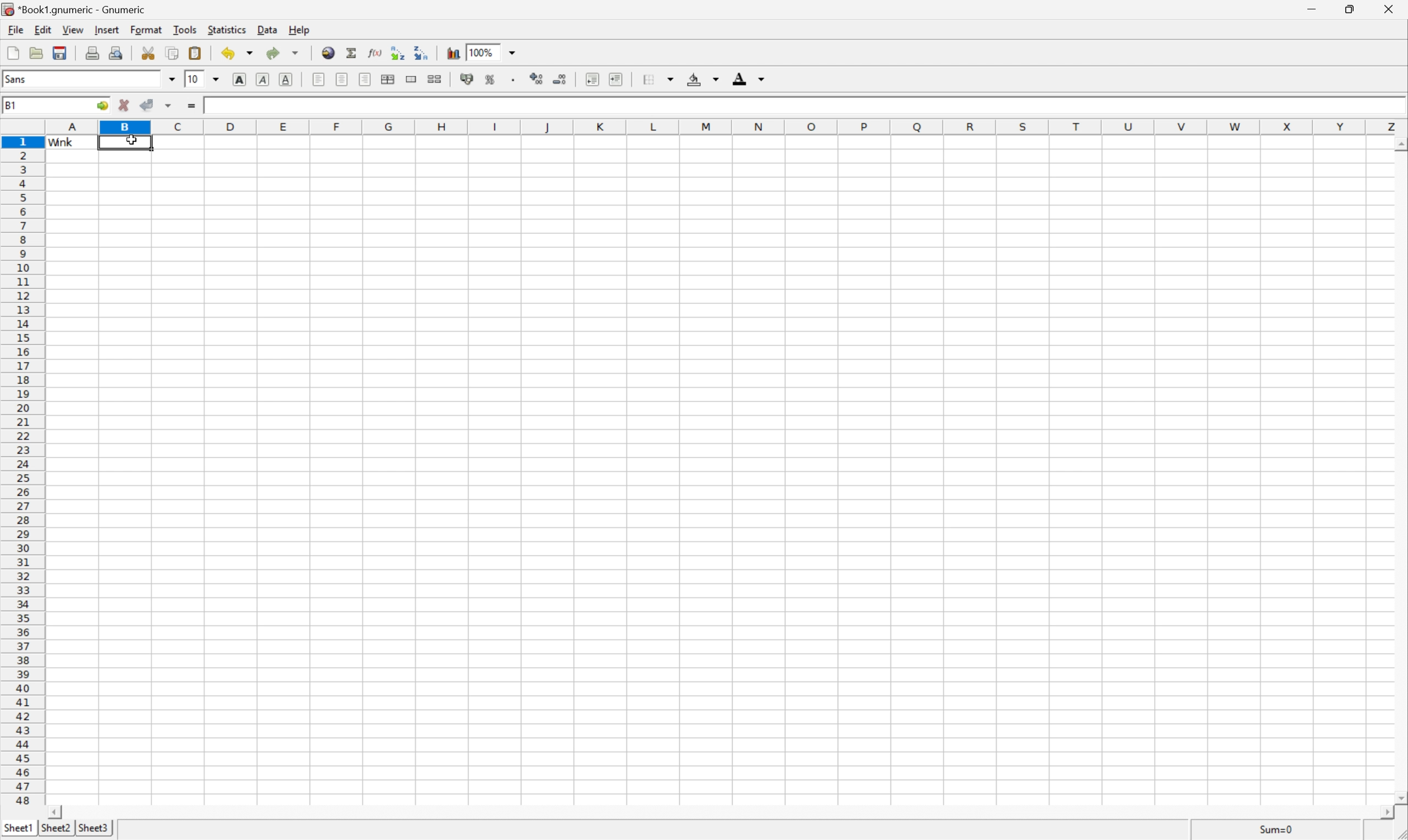  Describe the element at coordinates (36, 53) in the screenshot. I see `open` at that location.